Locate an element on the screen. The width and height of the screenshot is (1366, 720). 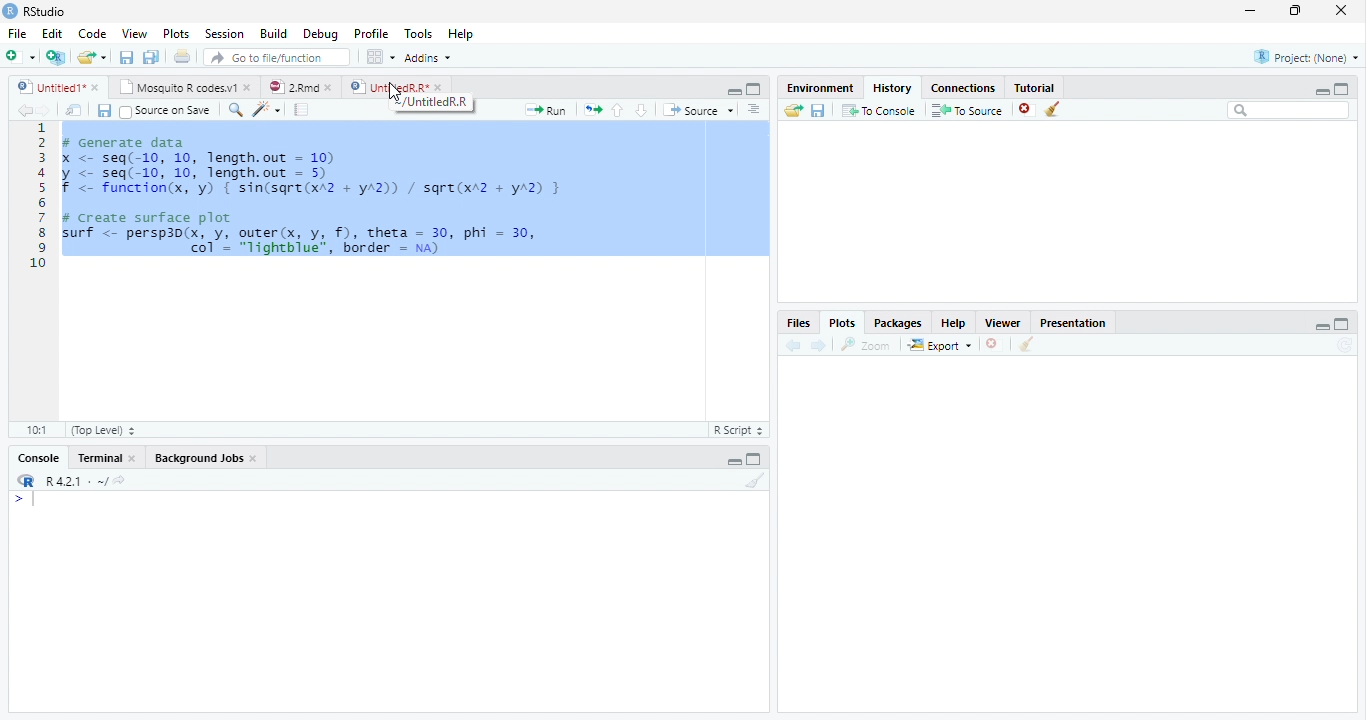
Edit is located at coordinates (51, 33).